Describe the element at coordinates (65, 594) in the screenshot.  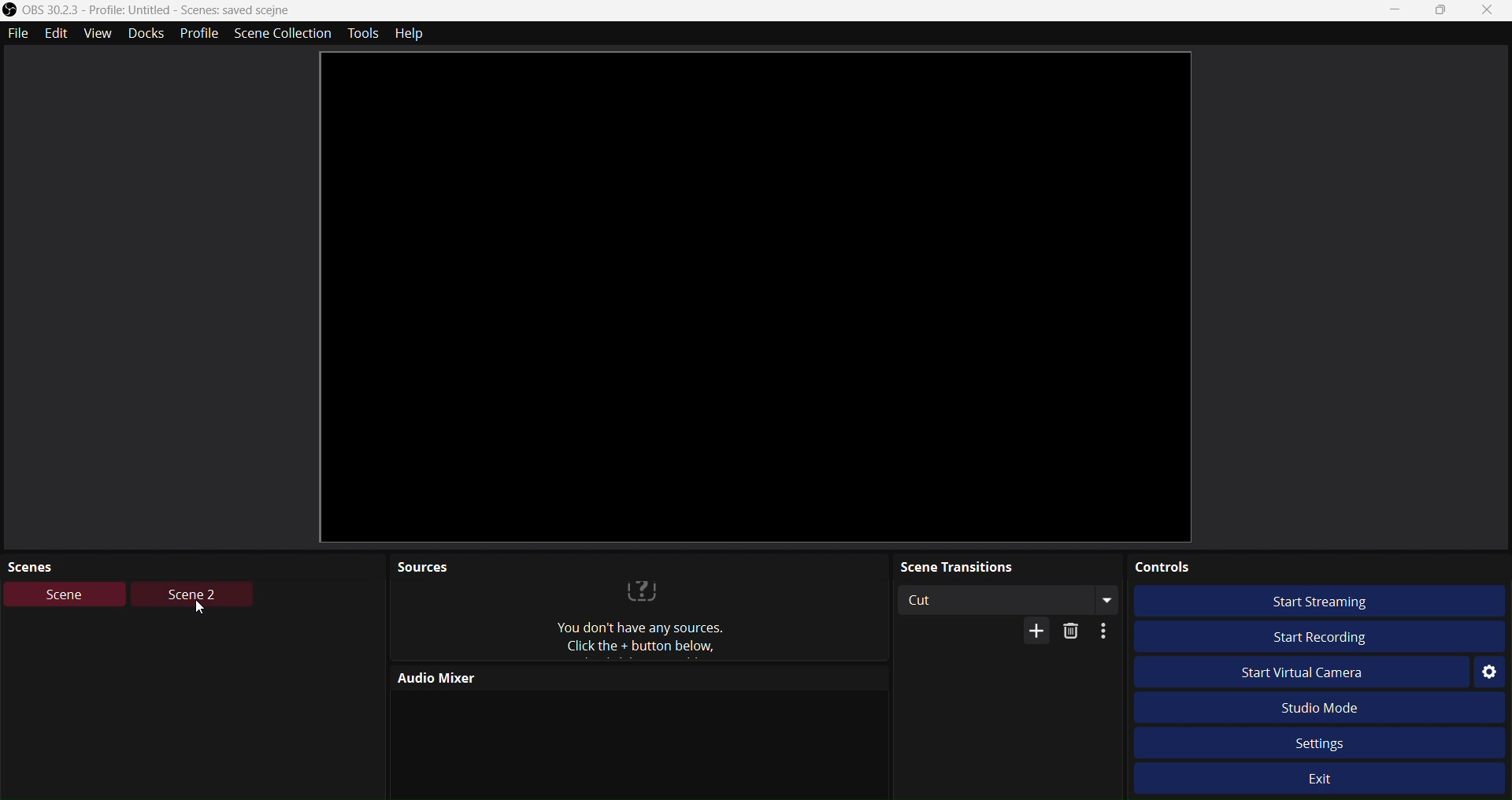
I see `Scene` at that location.